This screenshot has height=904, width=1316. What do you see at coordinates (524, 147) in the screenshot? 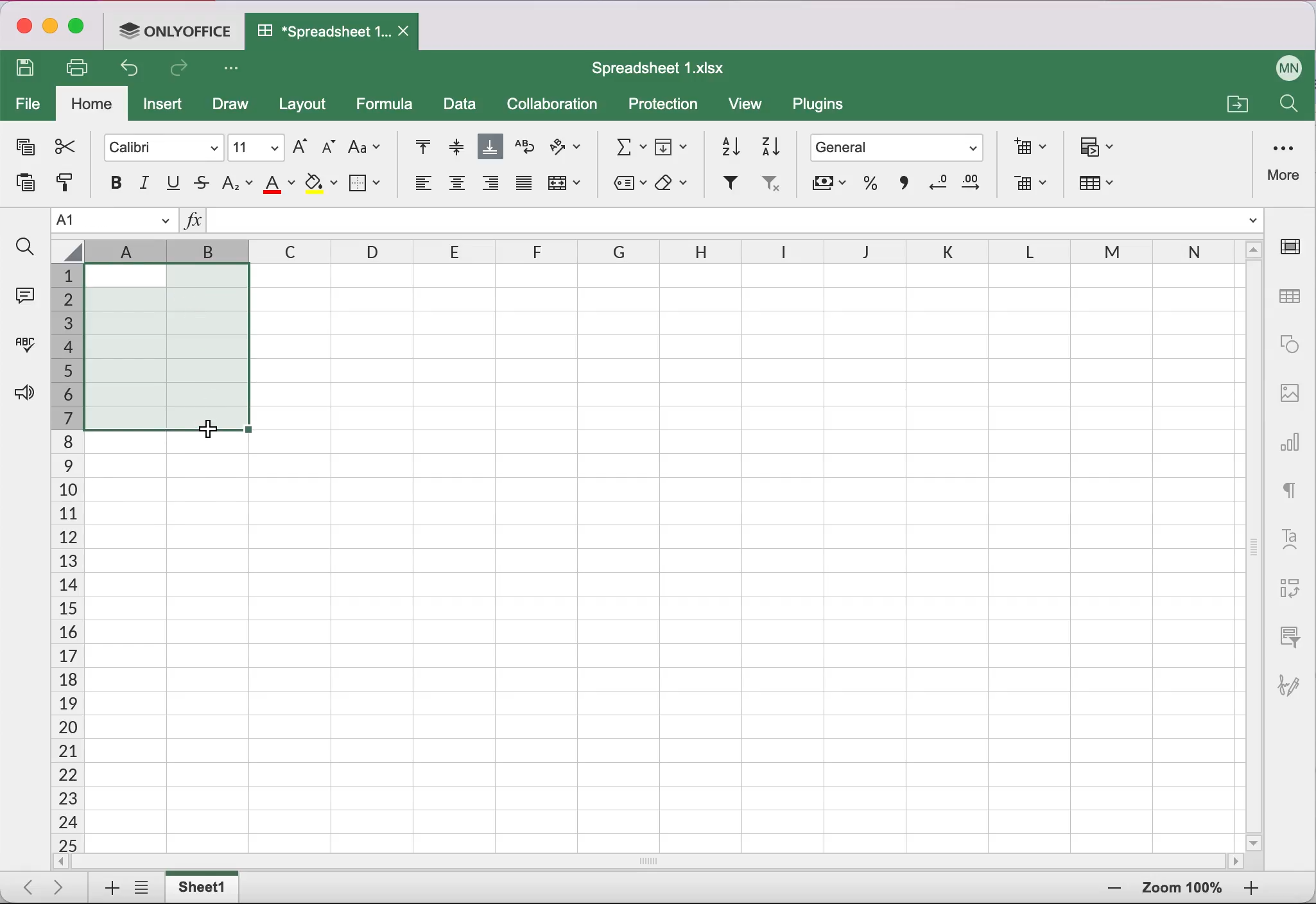
I see `wrap text` at bounding box center [524, 147].